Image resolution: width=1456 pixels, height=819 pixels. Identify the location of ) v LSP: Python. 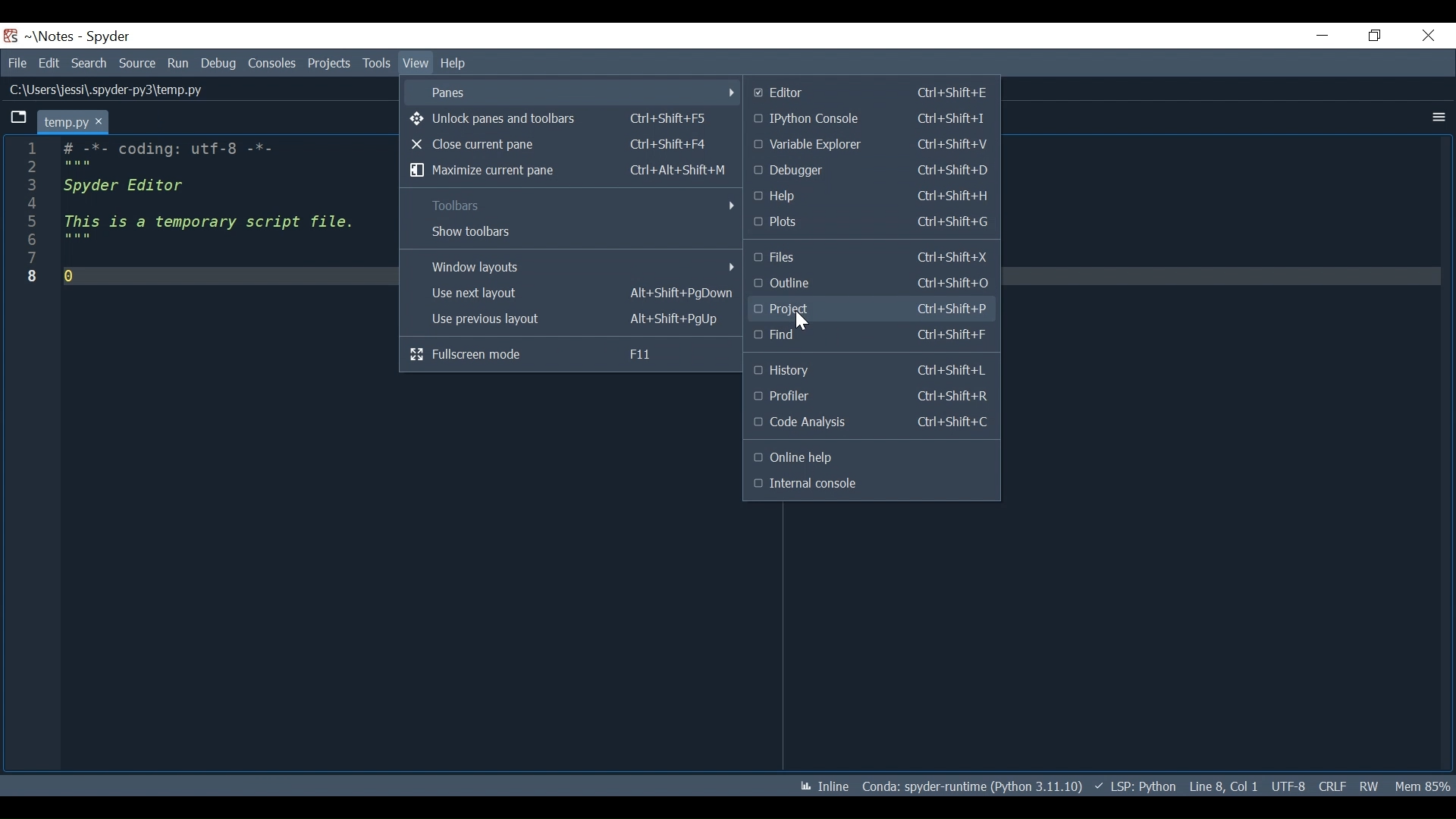
(1136, 786).